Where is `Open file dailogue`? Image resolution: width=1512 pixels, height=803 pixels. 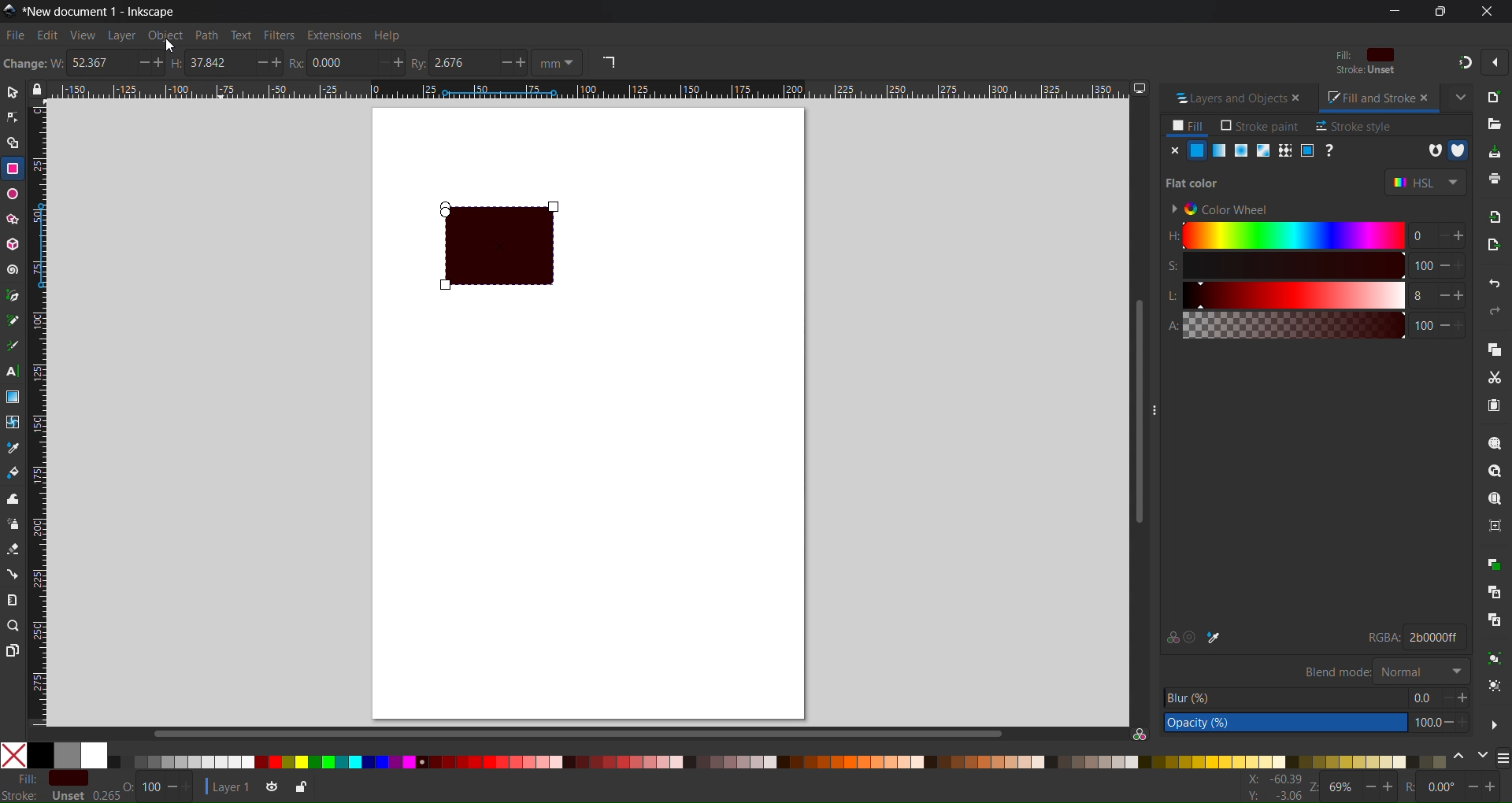 Open file dailogue is located at coordinates (1494, 121).